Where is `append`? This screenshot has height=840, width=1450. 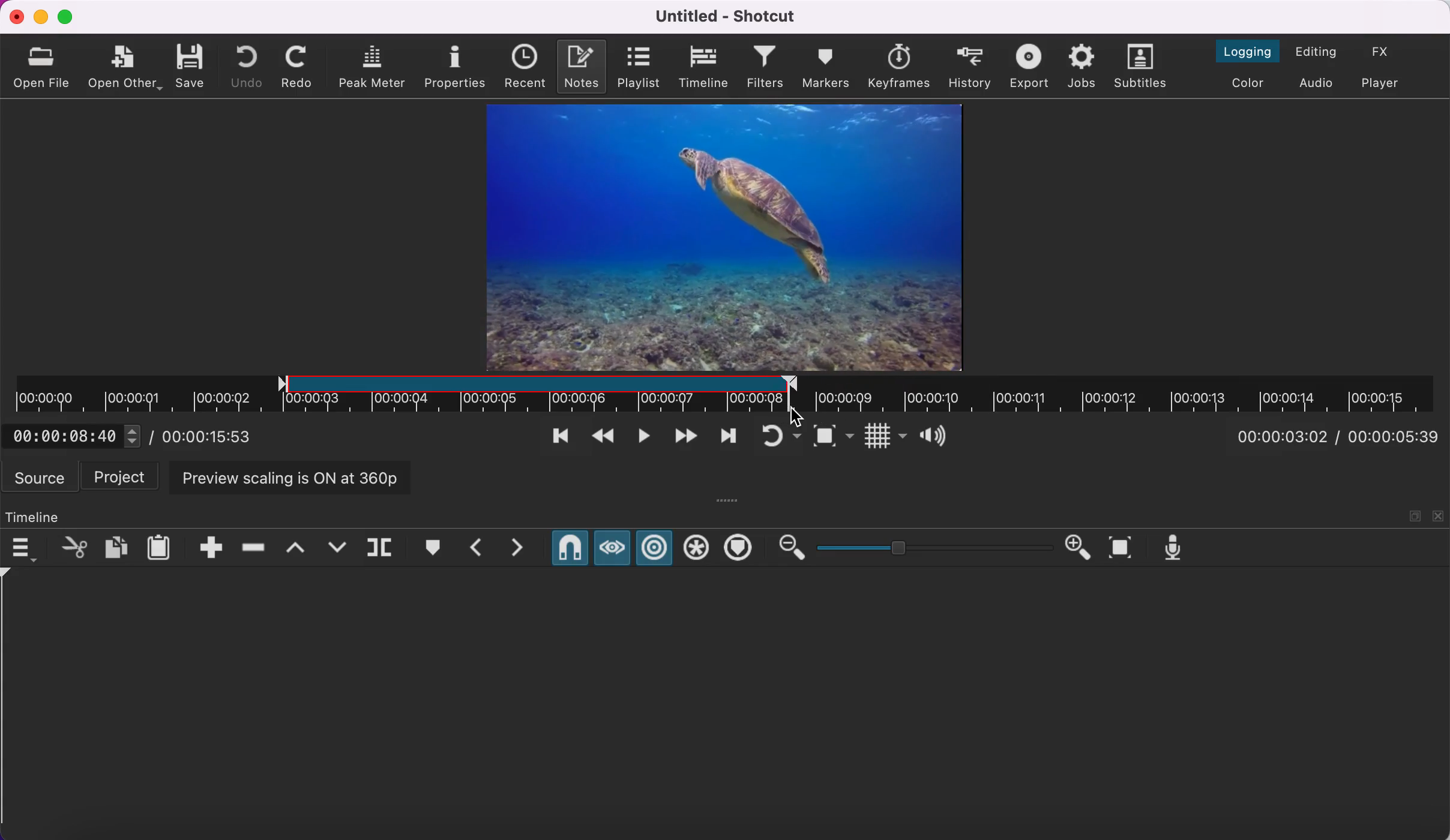 append is located at coordinates (210, 547).